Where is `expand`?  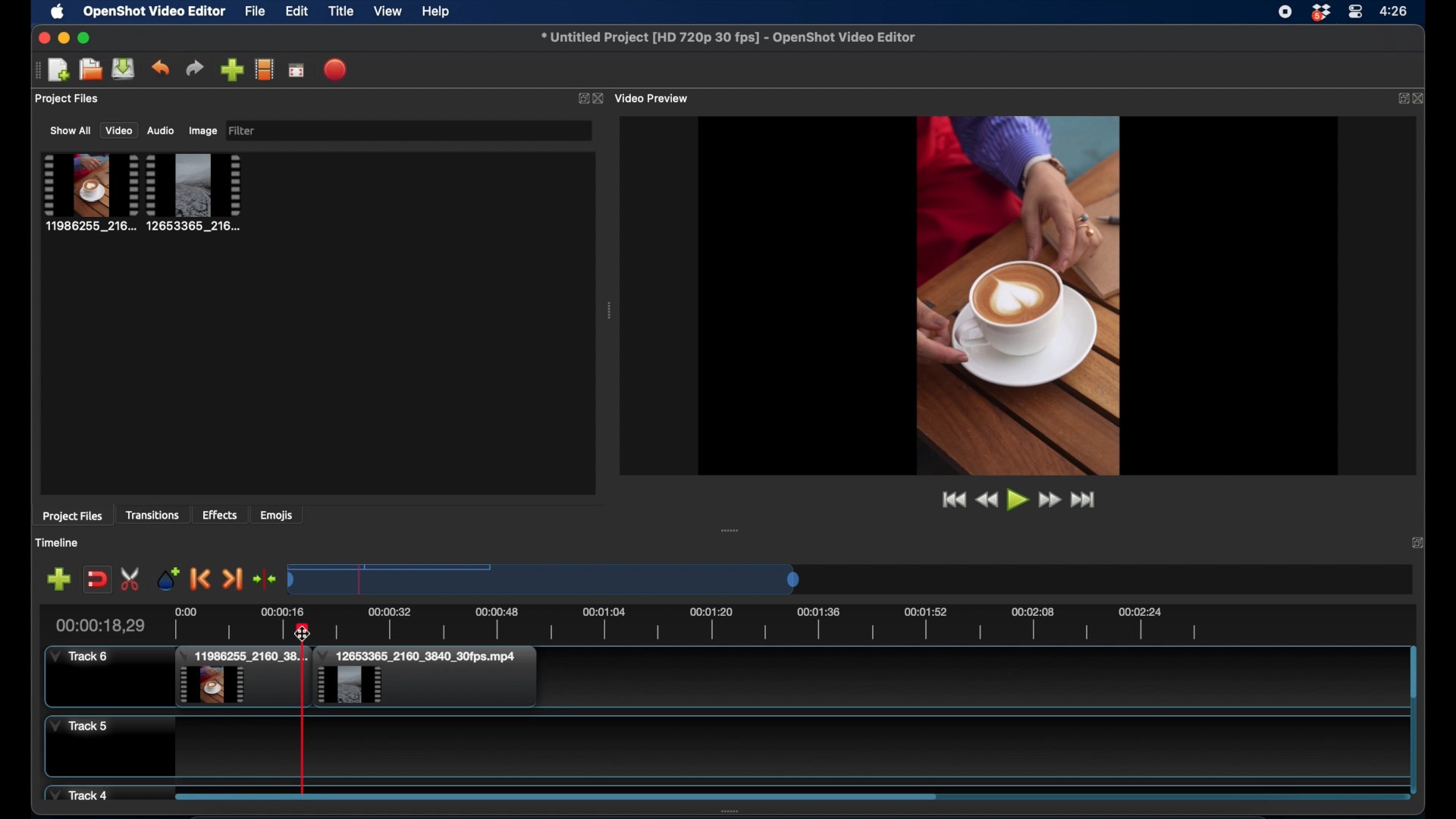
expand is located at coordinates (581, 98).